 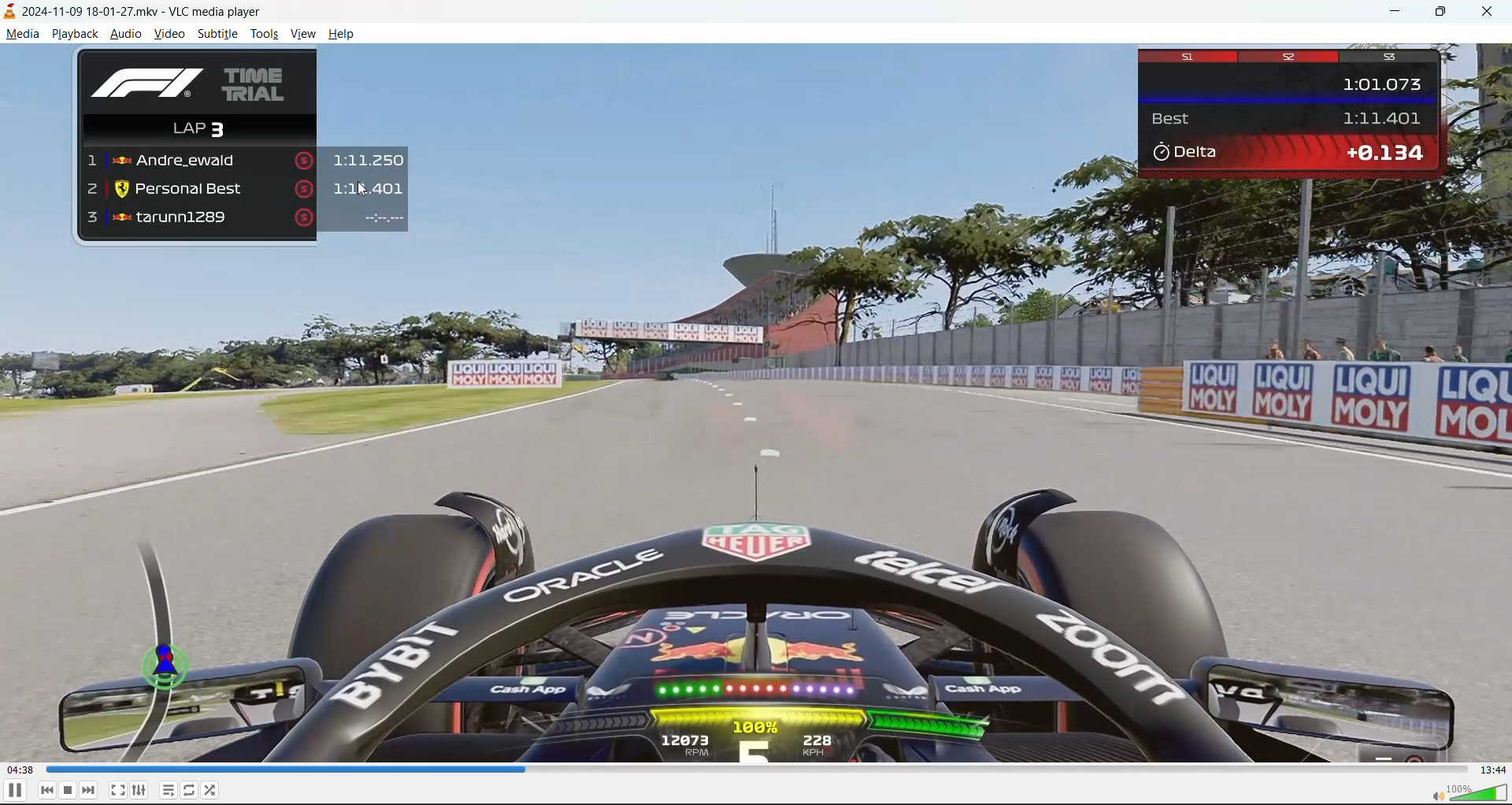 I want to click on playing video in which zoom is set to original, so click(x=756, y=402).